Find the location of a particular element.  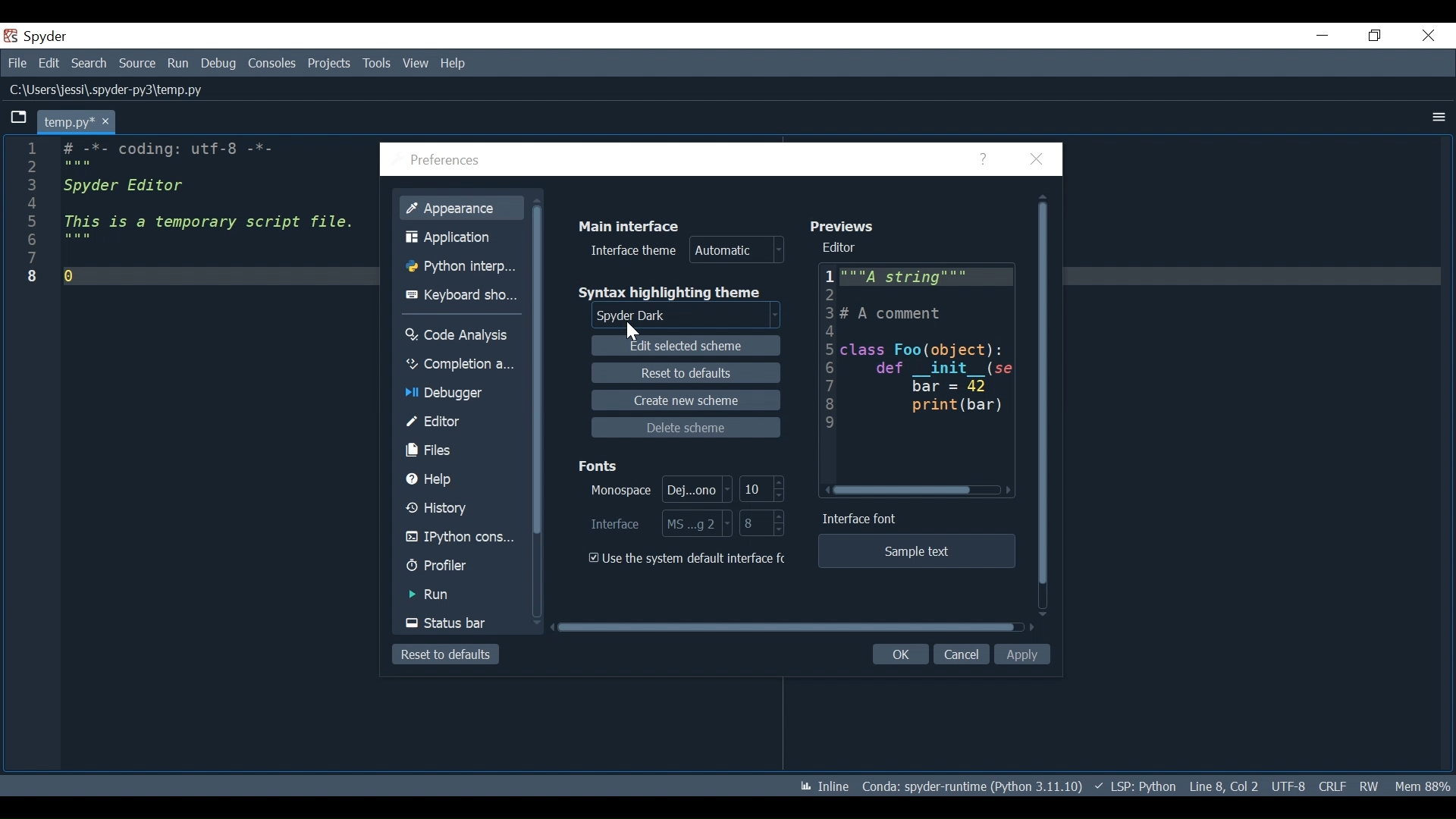

(un)check the use the system default interface font is located at coordinates (686, 557).